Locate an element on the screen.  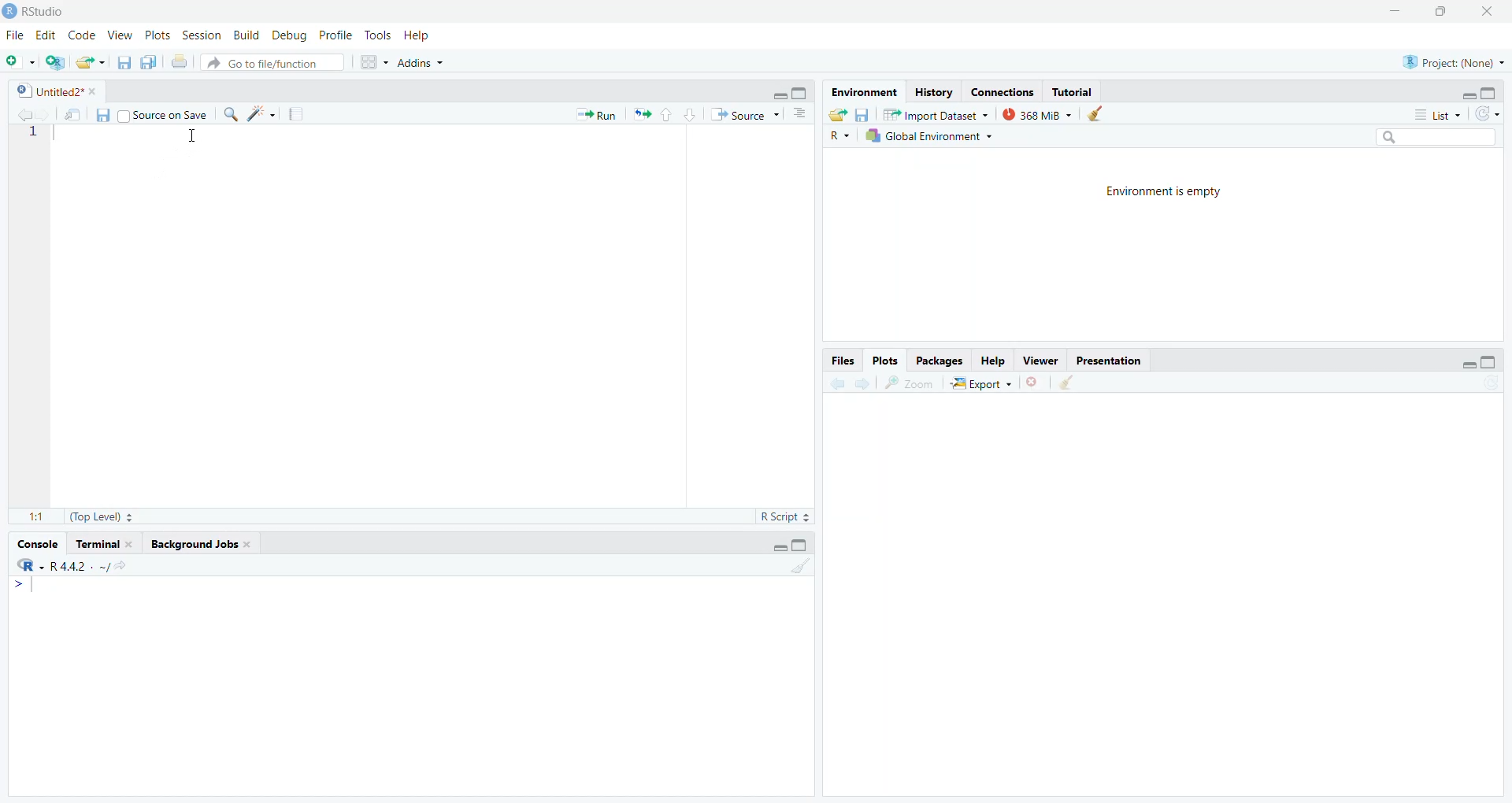
| Debug is located at coordinates (291, 36).